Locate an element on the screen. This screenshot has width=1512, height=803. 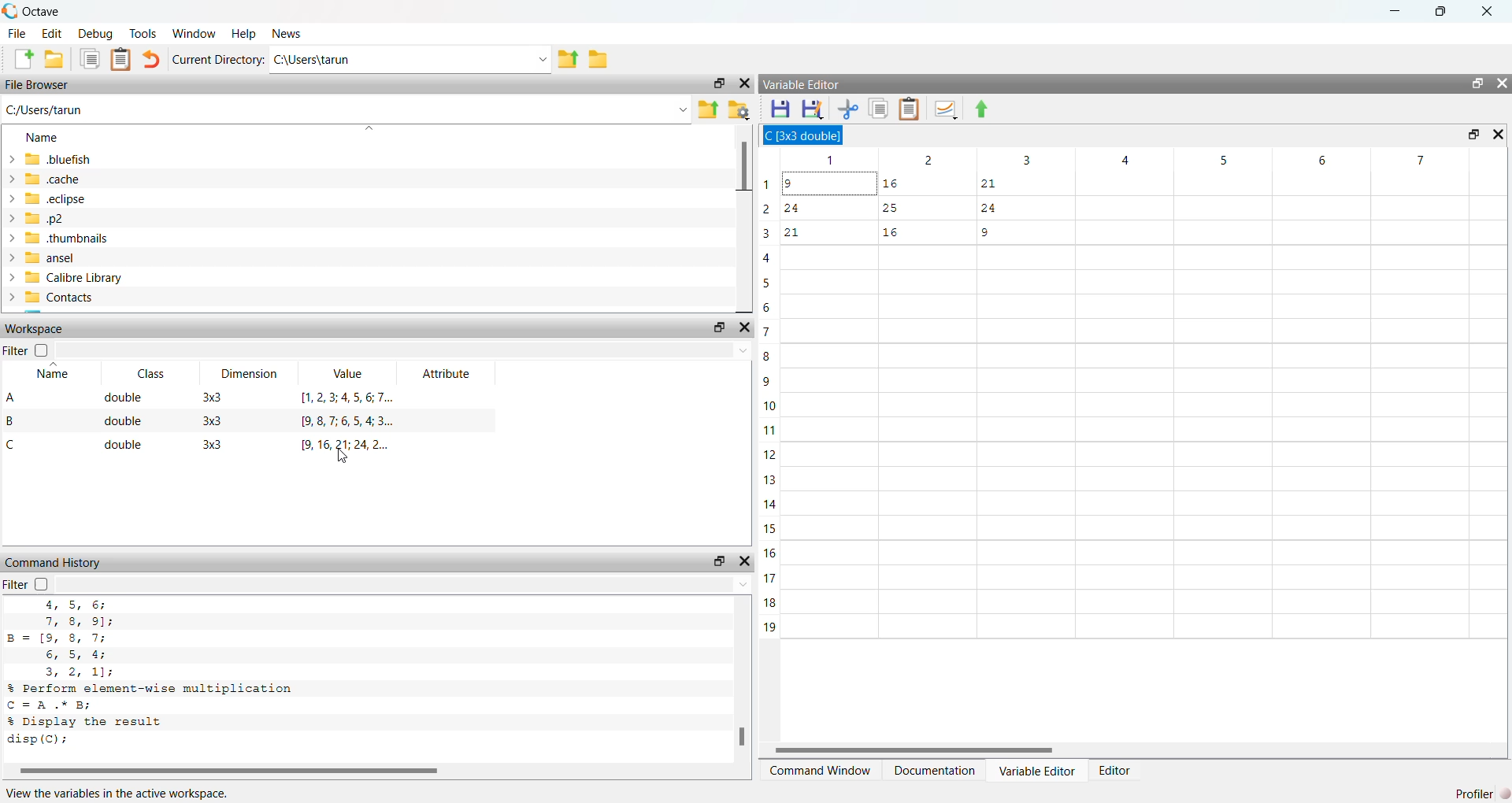
Name is located at coordinates (54, 371).